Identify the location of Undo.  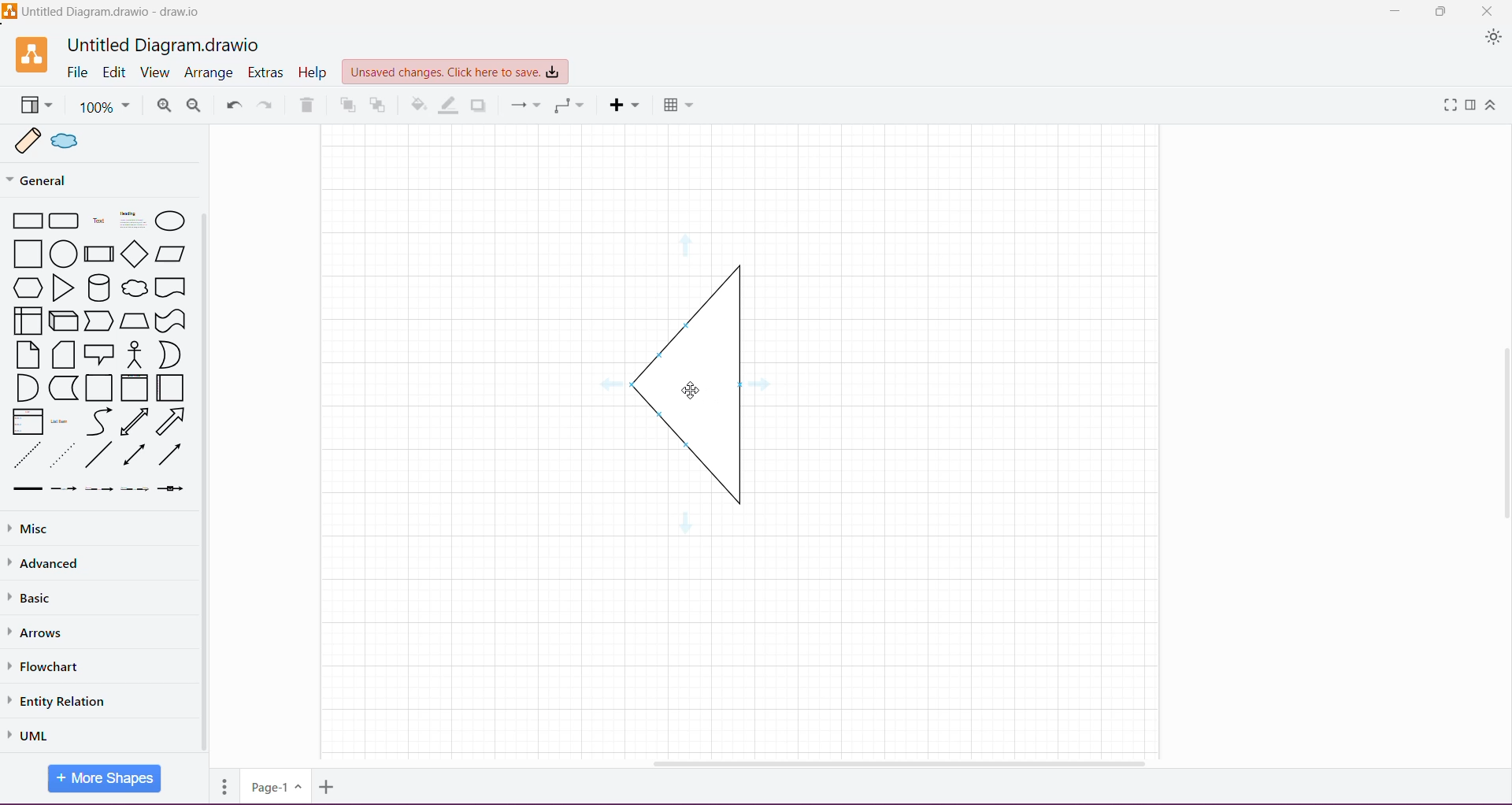
(233, 106).